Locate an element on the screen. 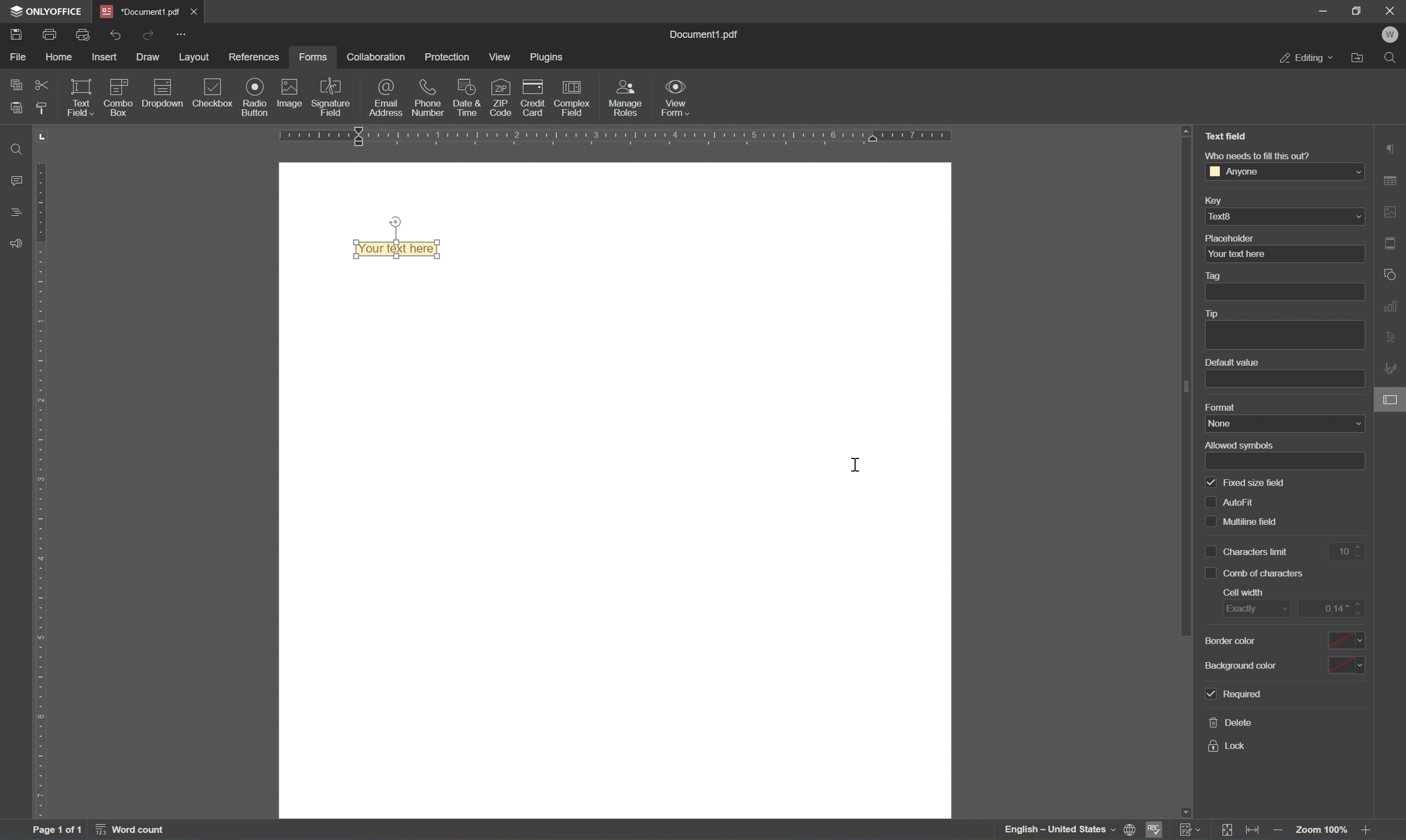 The height and width of the screenshot is (840, 1406). image is located at coordinates (287, 92).